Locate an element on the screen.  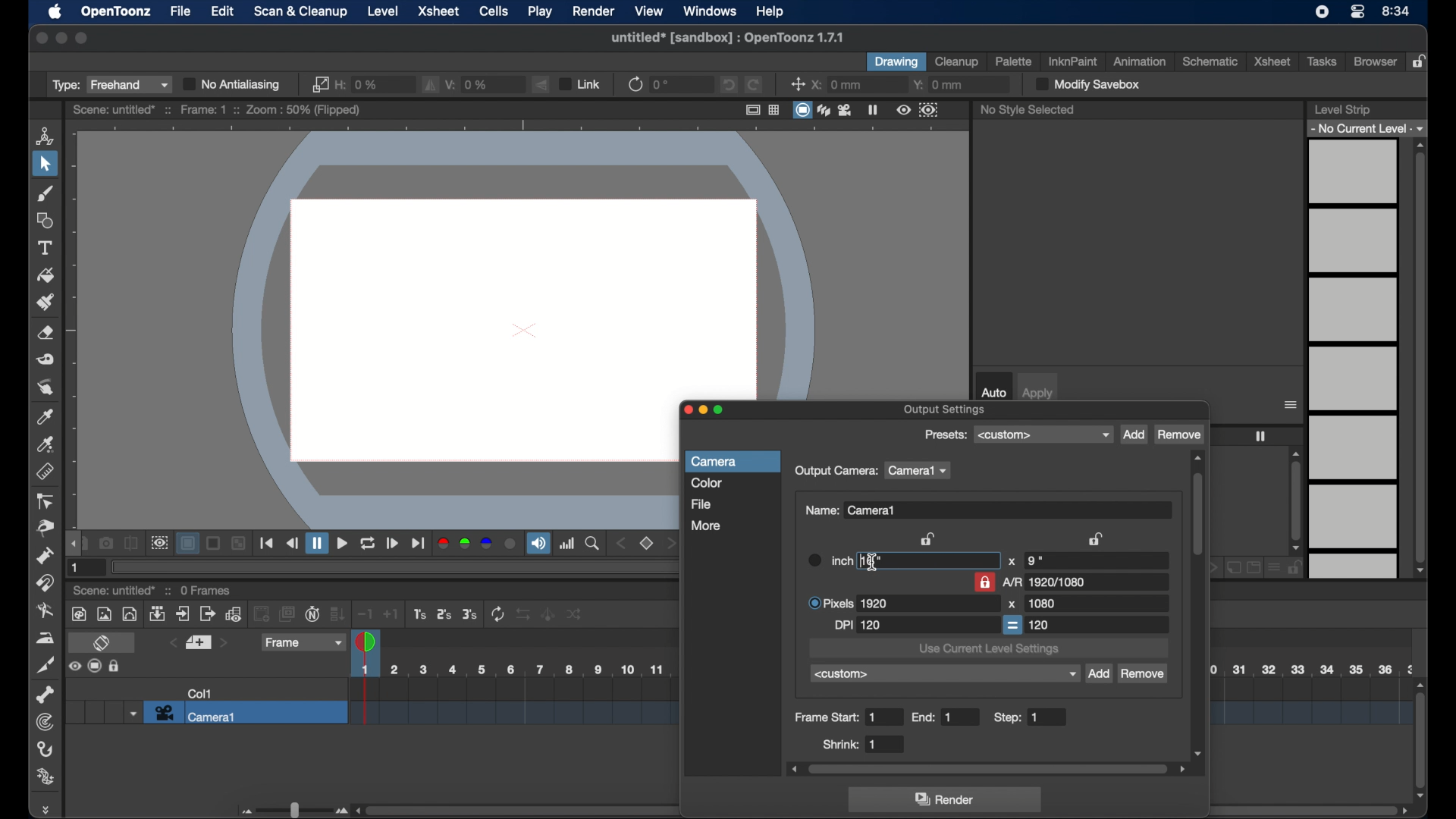
undo is located at coordinates (727, 84).